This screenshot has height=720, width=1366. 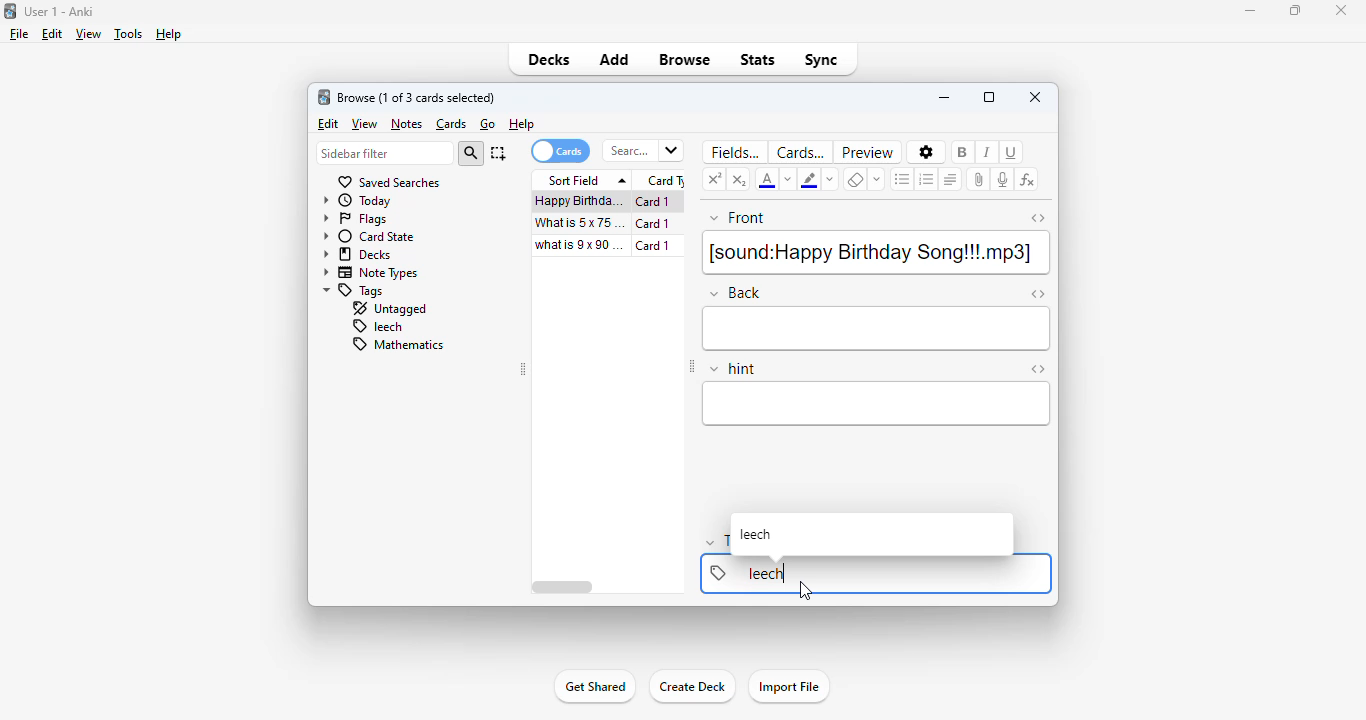 What do you see at coordinates (878, 329) in the screenshot?
I see `back` at bounding box center [878, 329].